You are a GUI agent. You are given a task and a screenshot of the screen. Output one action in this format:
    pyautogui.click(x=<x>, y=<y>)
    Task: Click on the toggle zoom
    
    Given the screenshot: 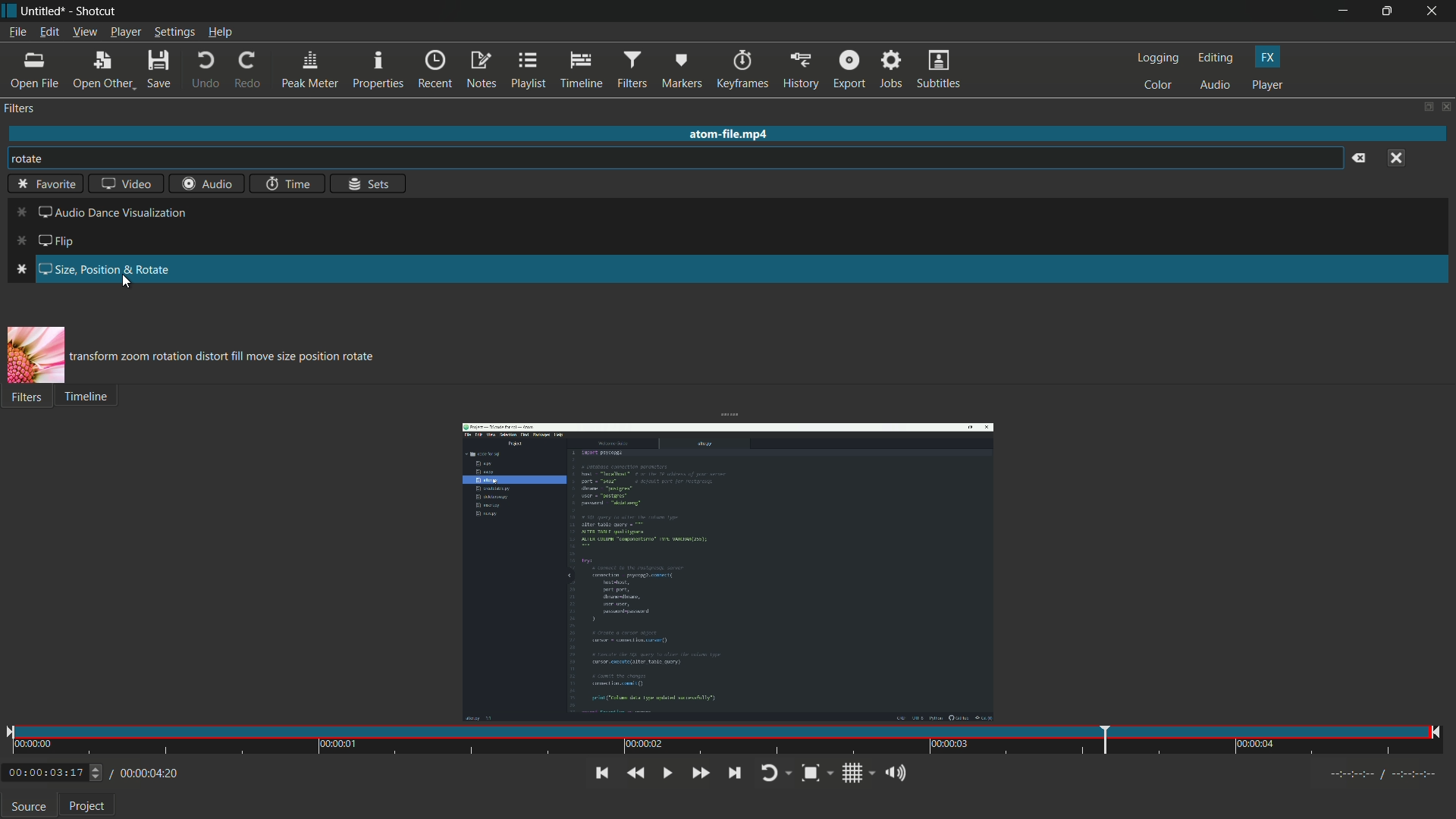 What is the action you would take?
    pyautogui.click(x=817, y=772)
    